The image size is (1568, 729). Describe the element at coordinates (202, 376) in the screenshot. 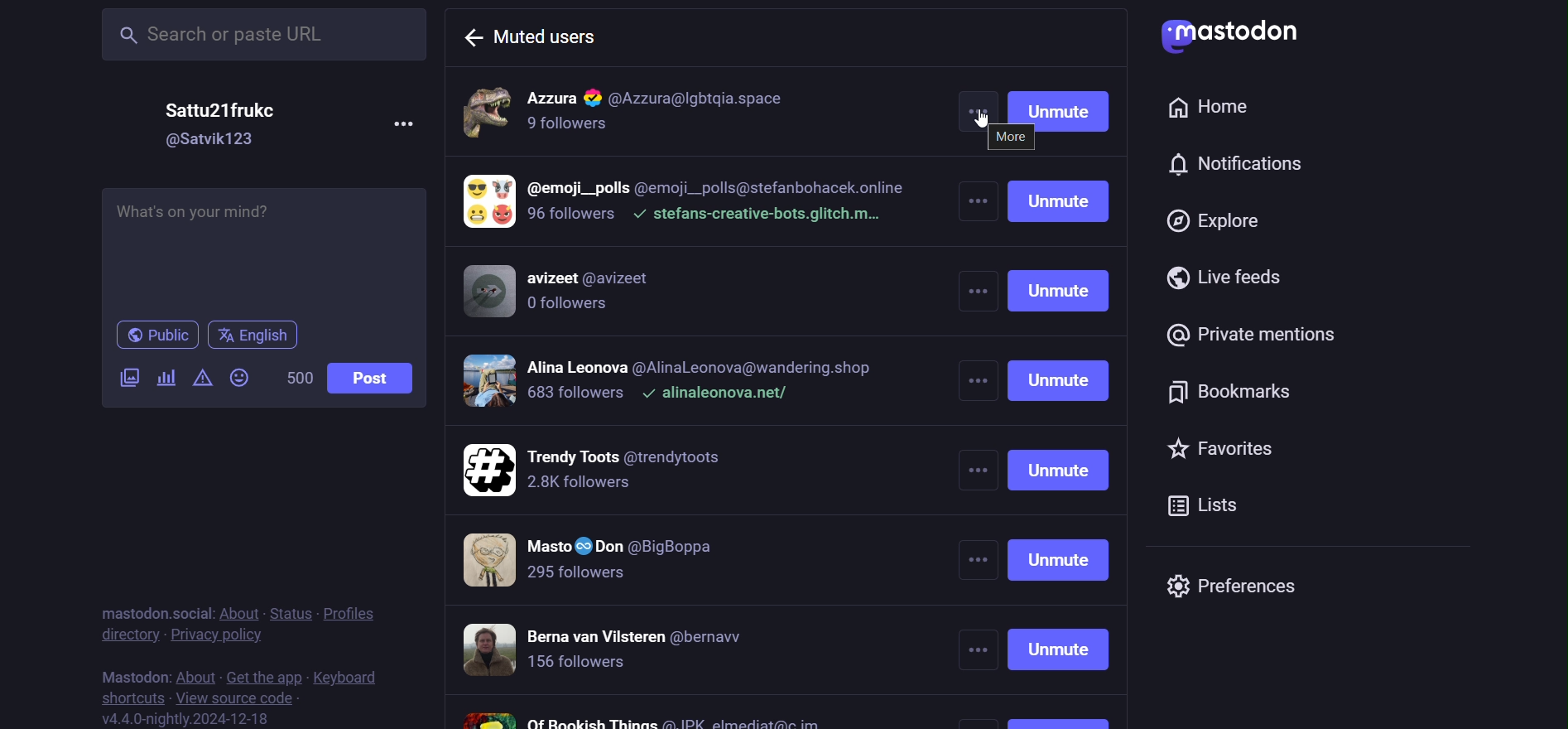

I see `content warning` at that location.